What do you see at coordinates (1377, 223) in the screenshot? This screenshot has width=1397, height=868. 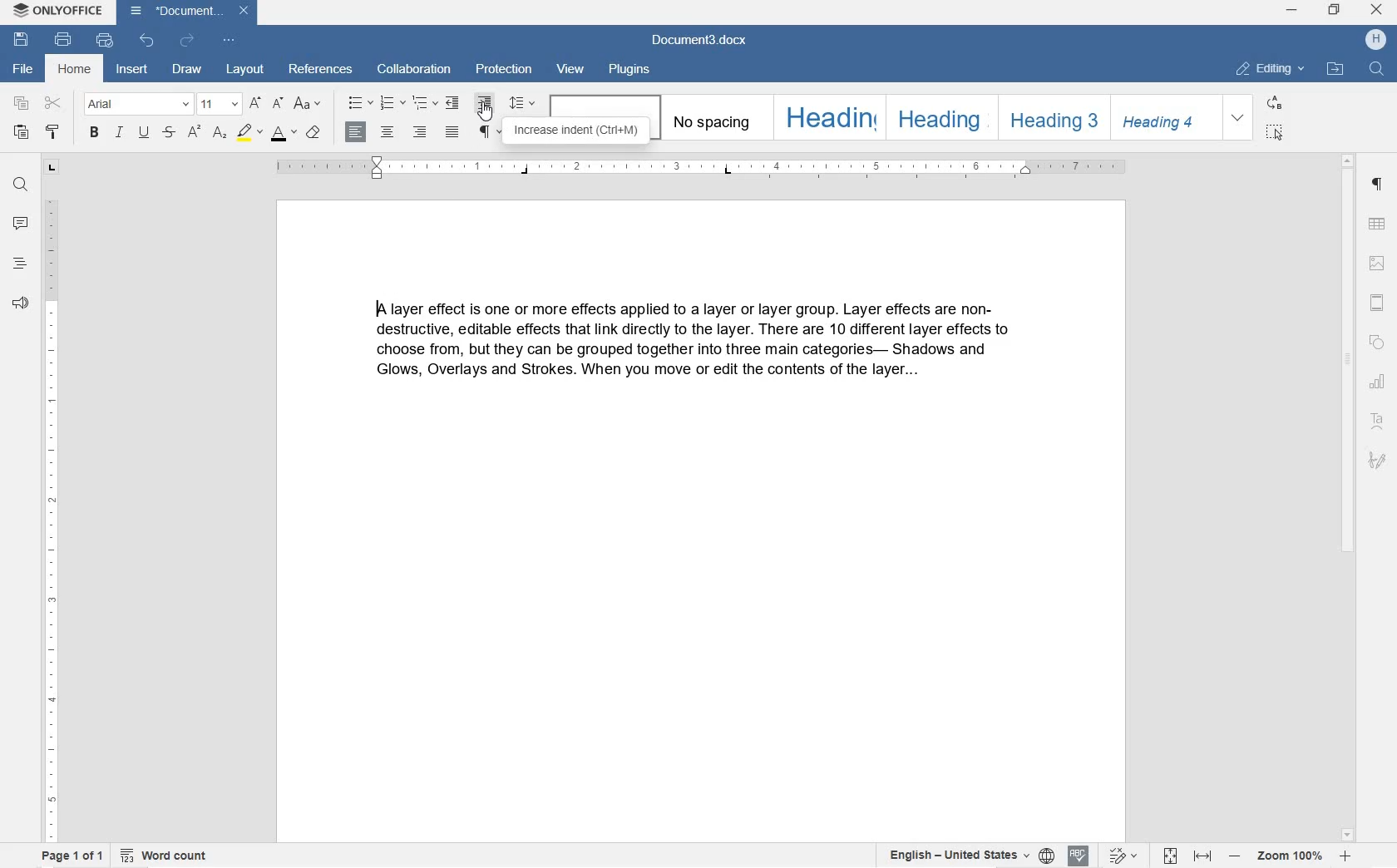 I see `TABLE` at bounding box center [1377, 223].